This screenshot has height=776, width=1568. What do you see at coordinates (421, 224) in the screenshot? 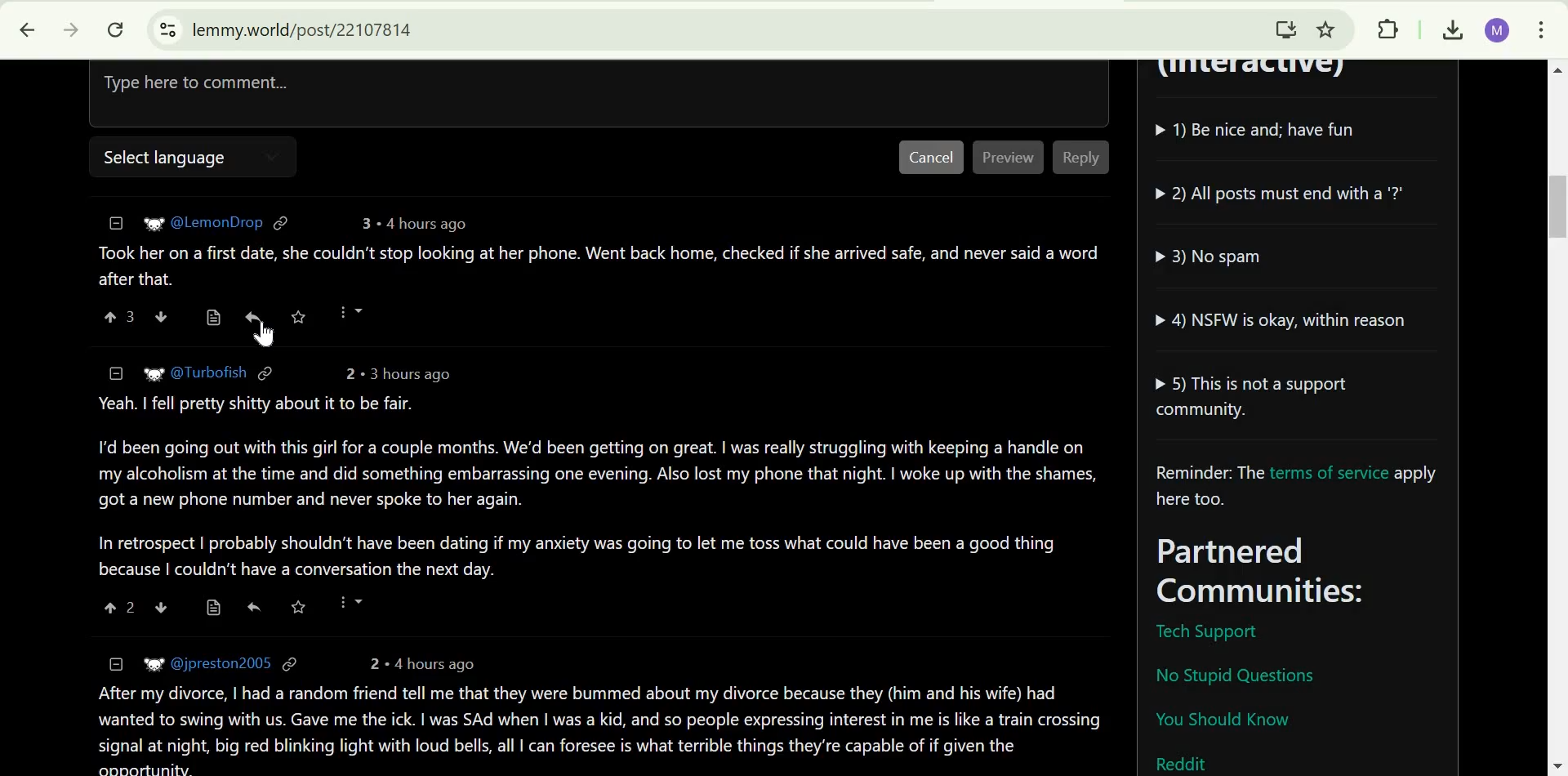
I see `4 hours ago` at bounding box center [421, 224].